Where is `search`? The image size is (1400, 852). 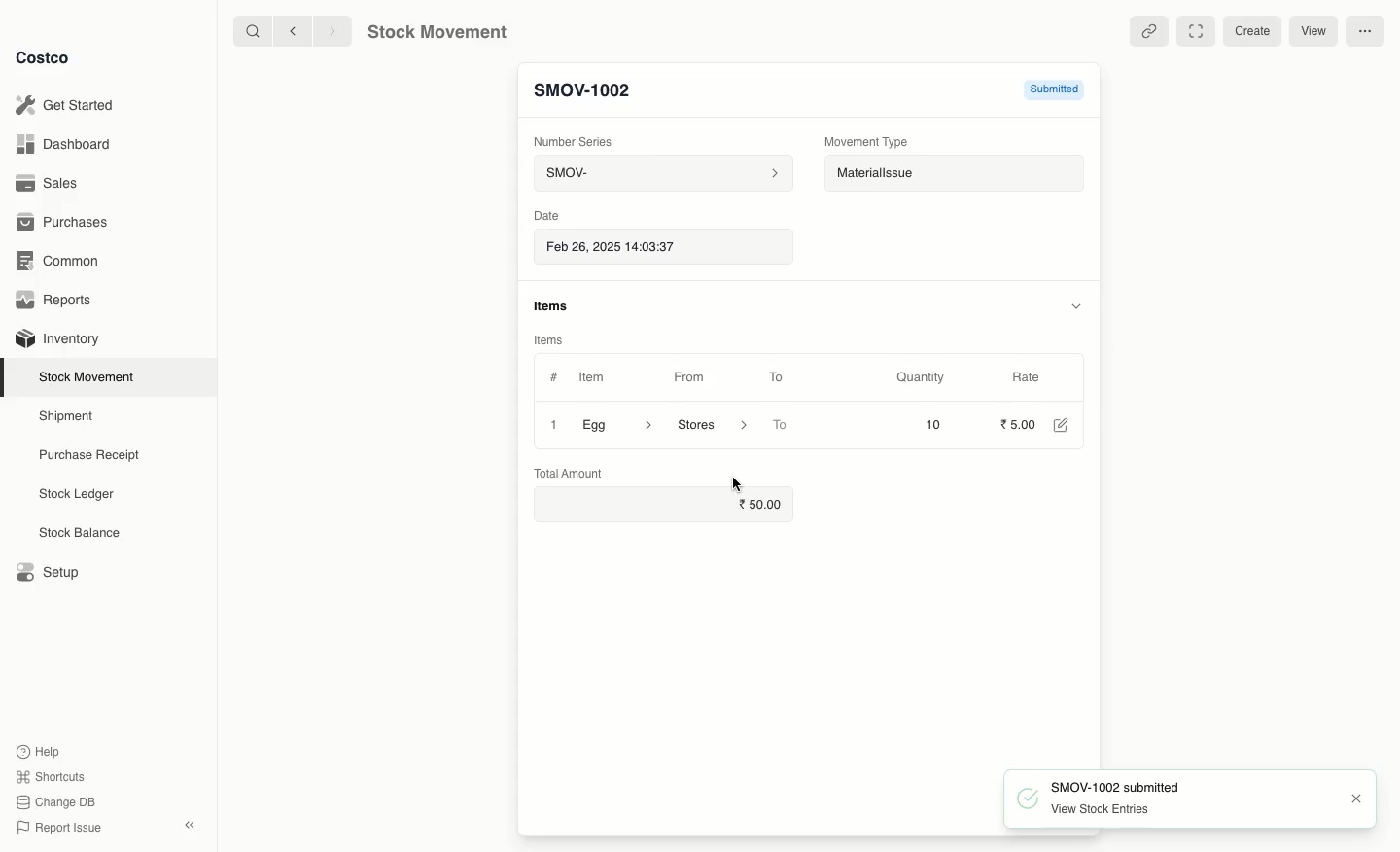
search is located at coordinates (255, 32).